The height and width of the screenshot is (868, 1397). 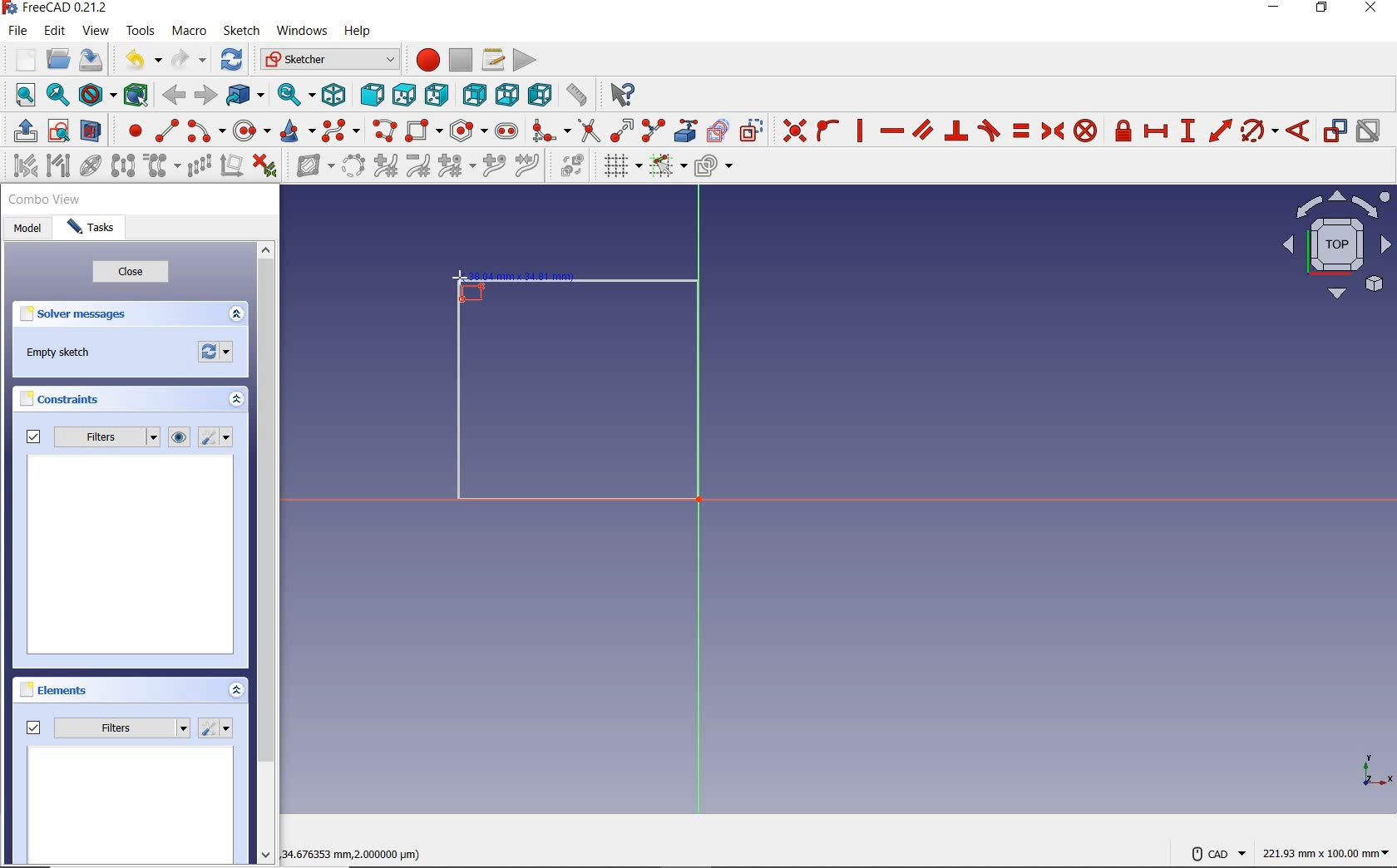 What do you see at coordinates (1054, 131) in the screenshot?
I see `constrain symmetrical` at bounding box center [1054, 131].